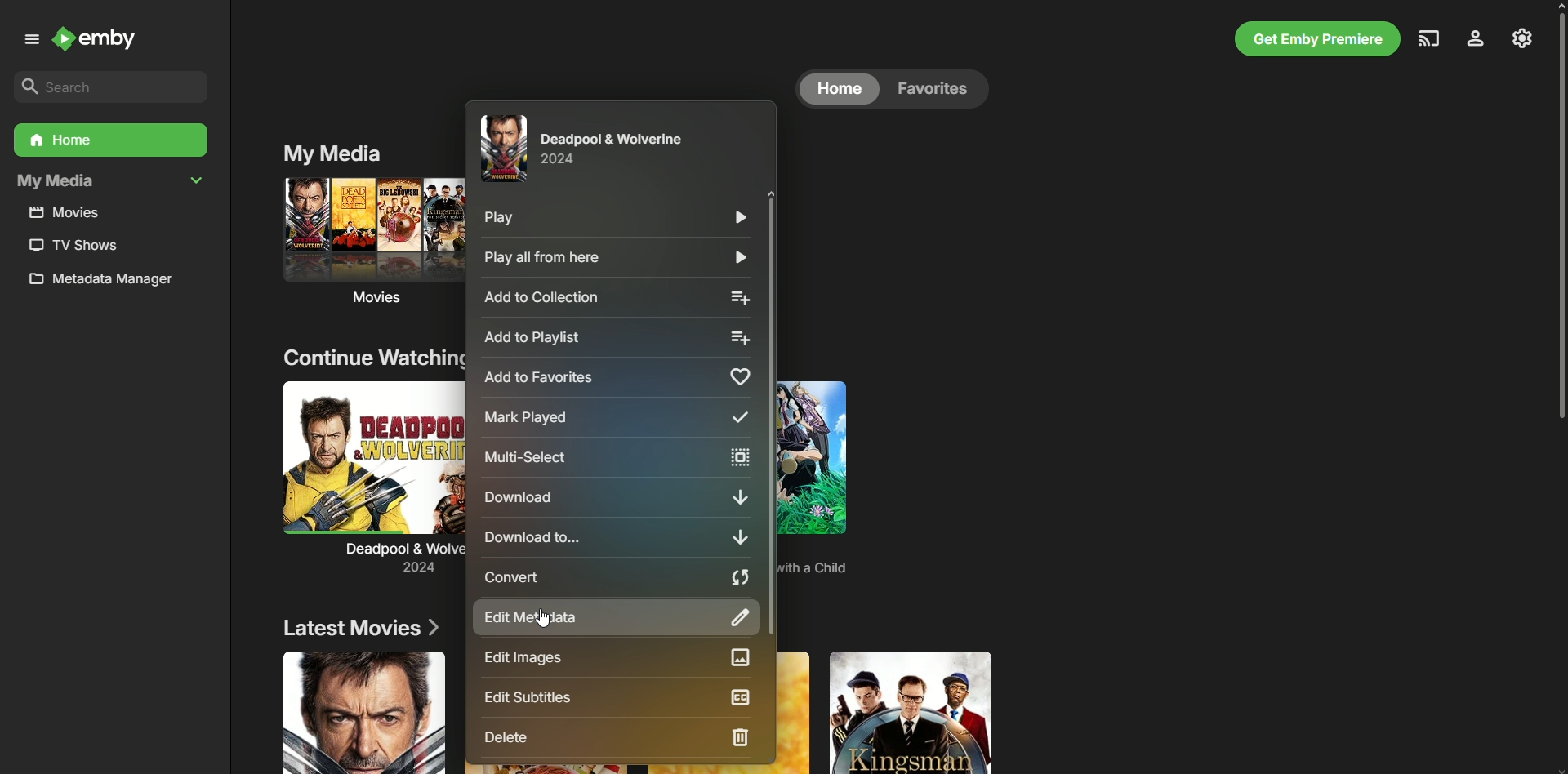 Image resolution: width=1568 pixels, height=774 pixels. What do you see at coordinates (618, 379) in the screenshot?
I see `Add to favorites` at bounding box center [618, 379].